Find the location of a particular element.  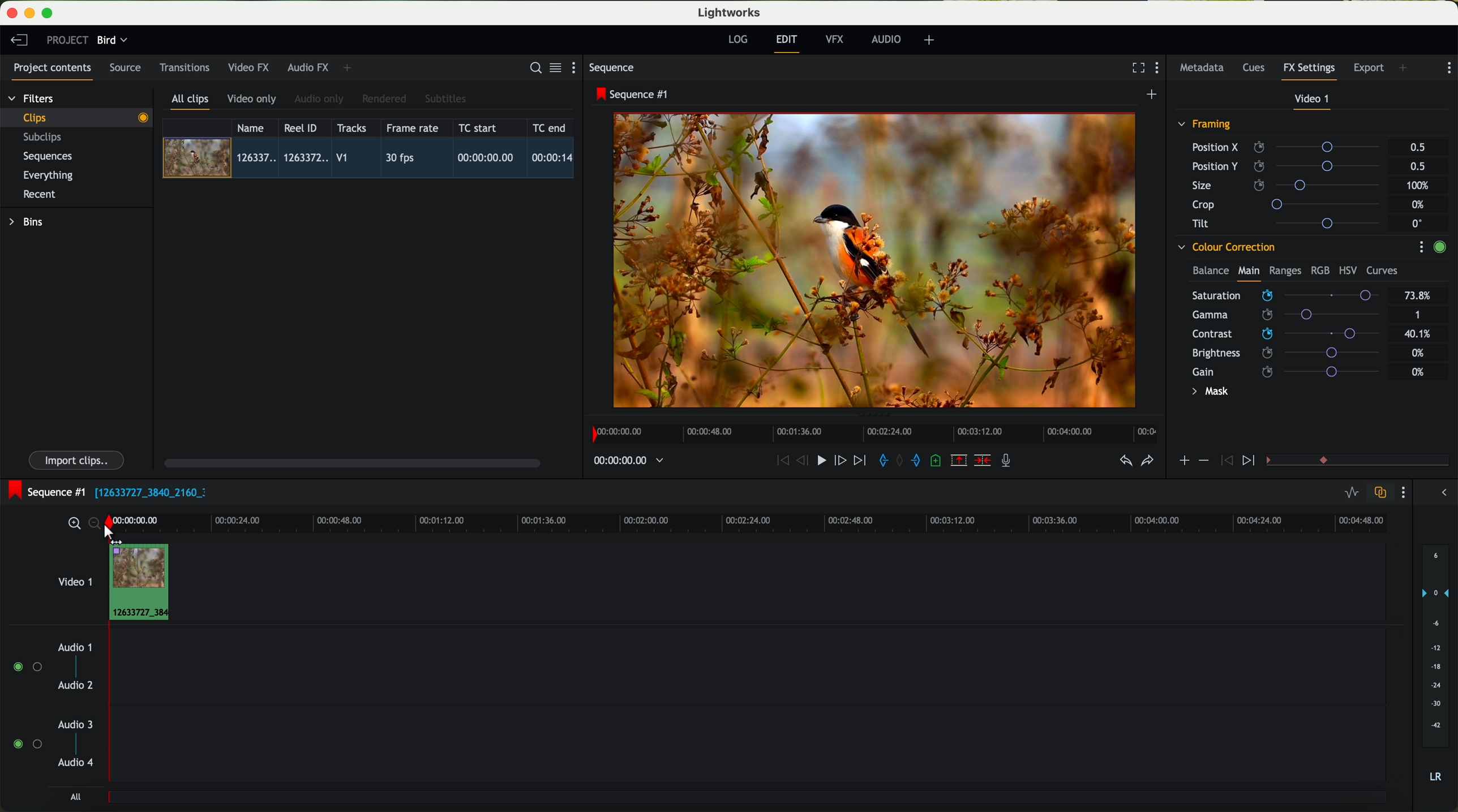

move foward is located at coordinates (859, 461).